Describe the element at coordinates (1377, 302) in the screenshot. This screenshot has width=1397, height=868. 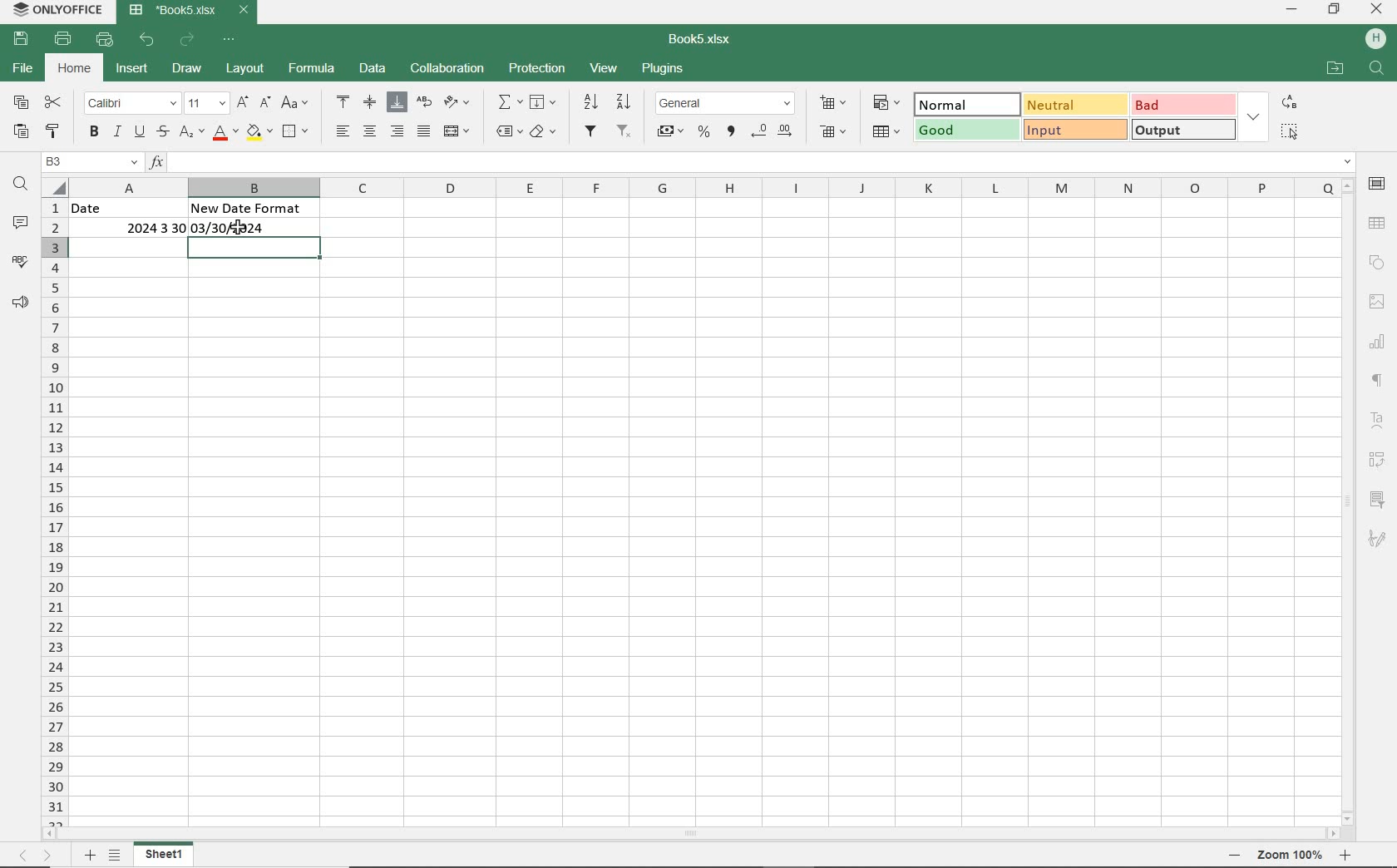
I see `IMAGE` at that location.